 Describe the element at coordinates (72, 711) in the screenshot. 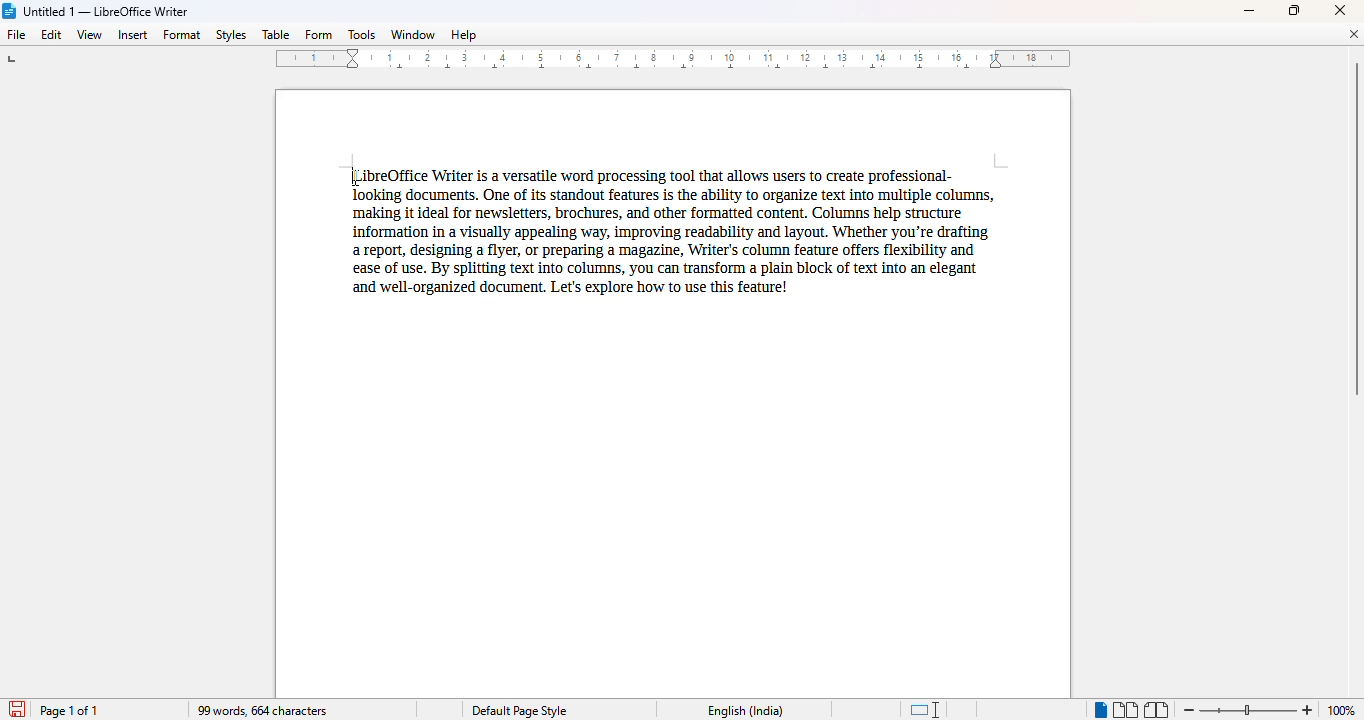

I see `page 1 of 1` at that location.